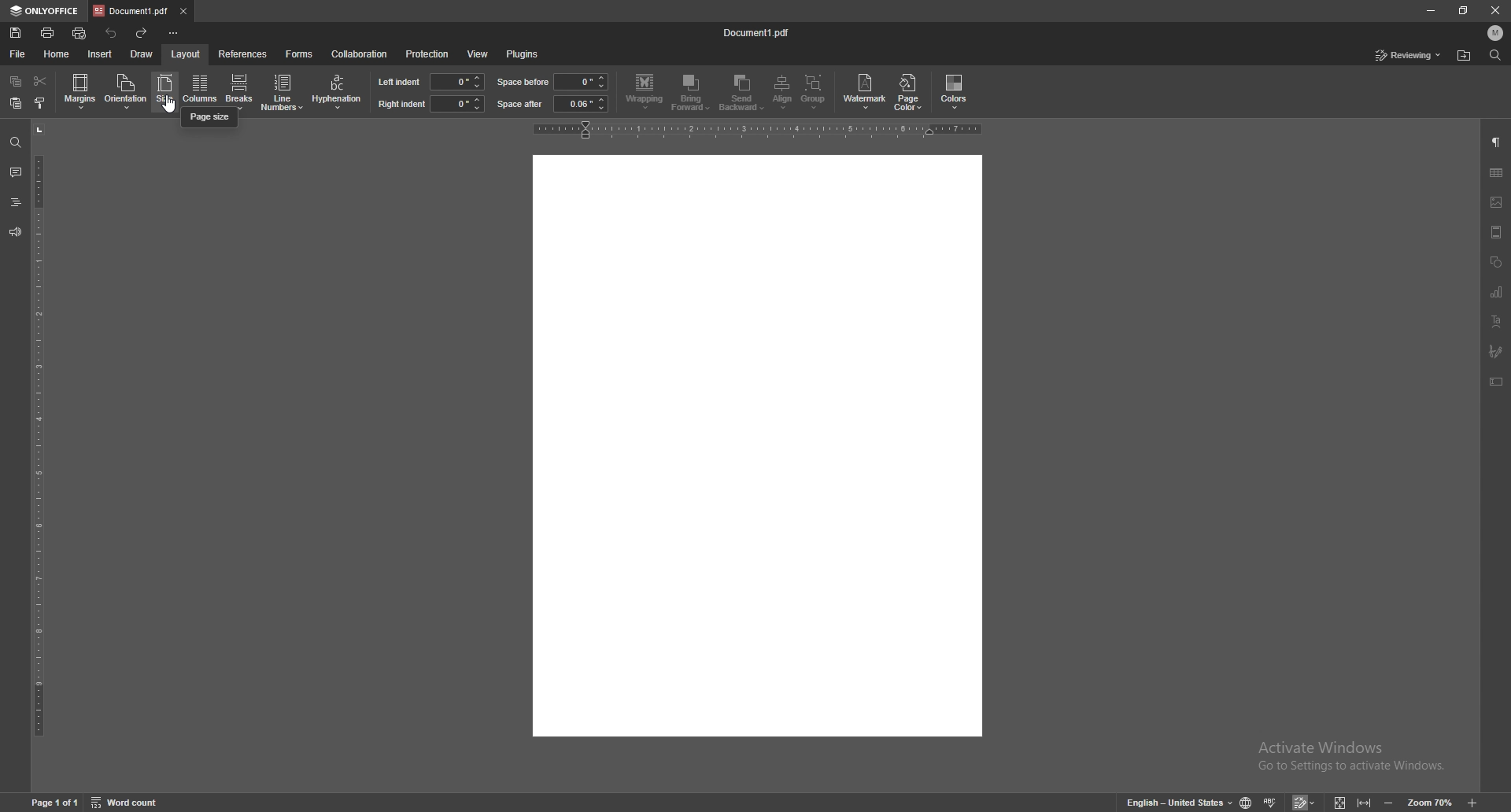 Image resolution: width=1511 pixels, height=812 pixels. Describe the element at coordinates (1409, 55) in the screenshot. I see `status` at that location.